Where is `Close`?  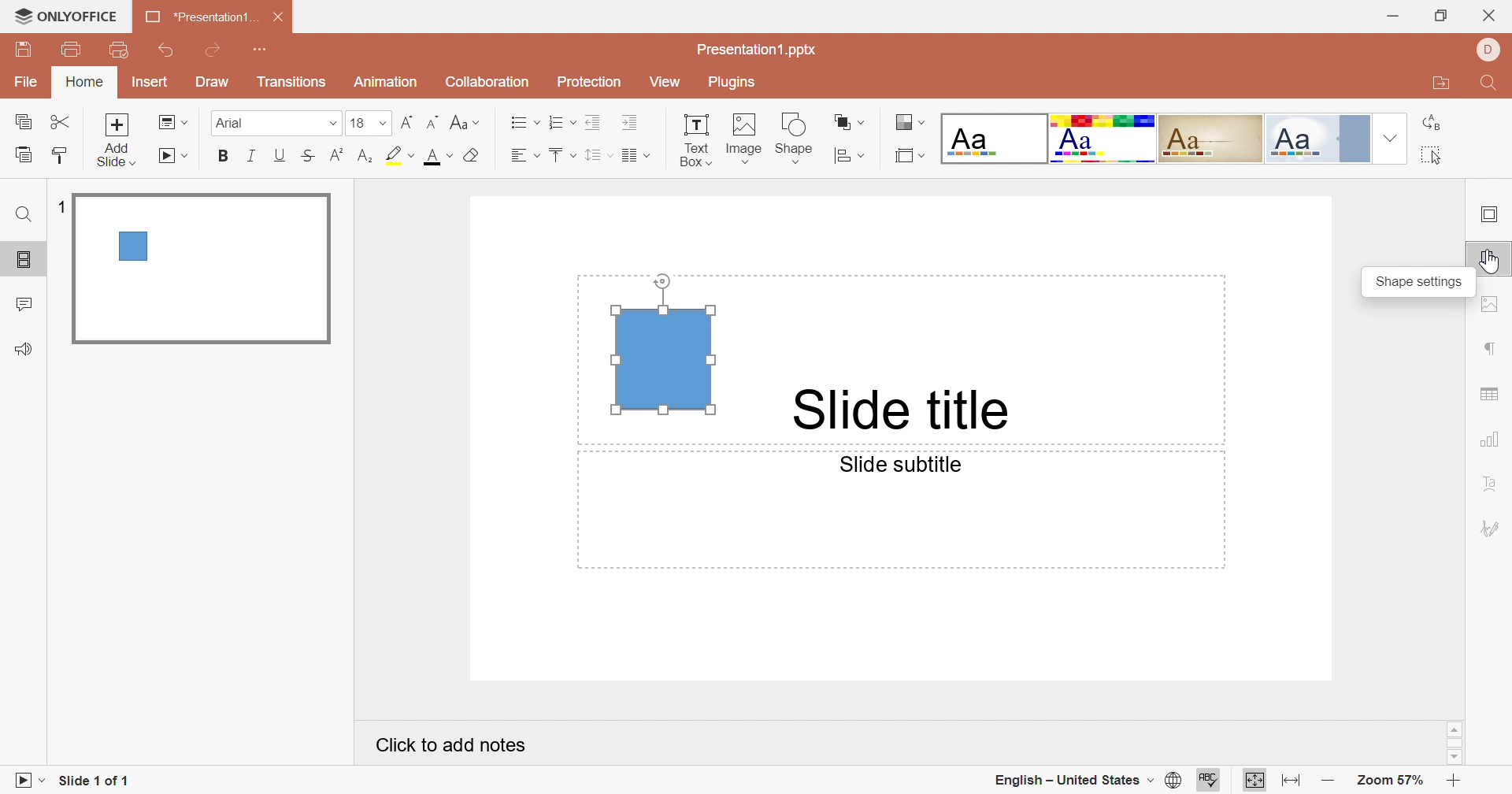 Close is located at coordinates (1490, 16).